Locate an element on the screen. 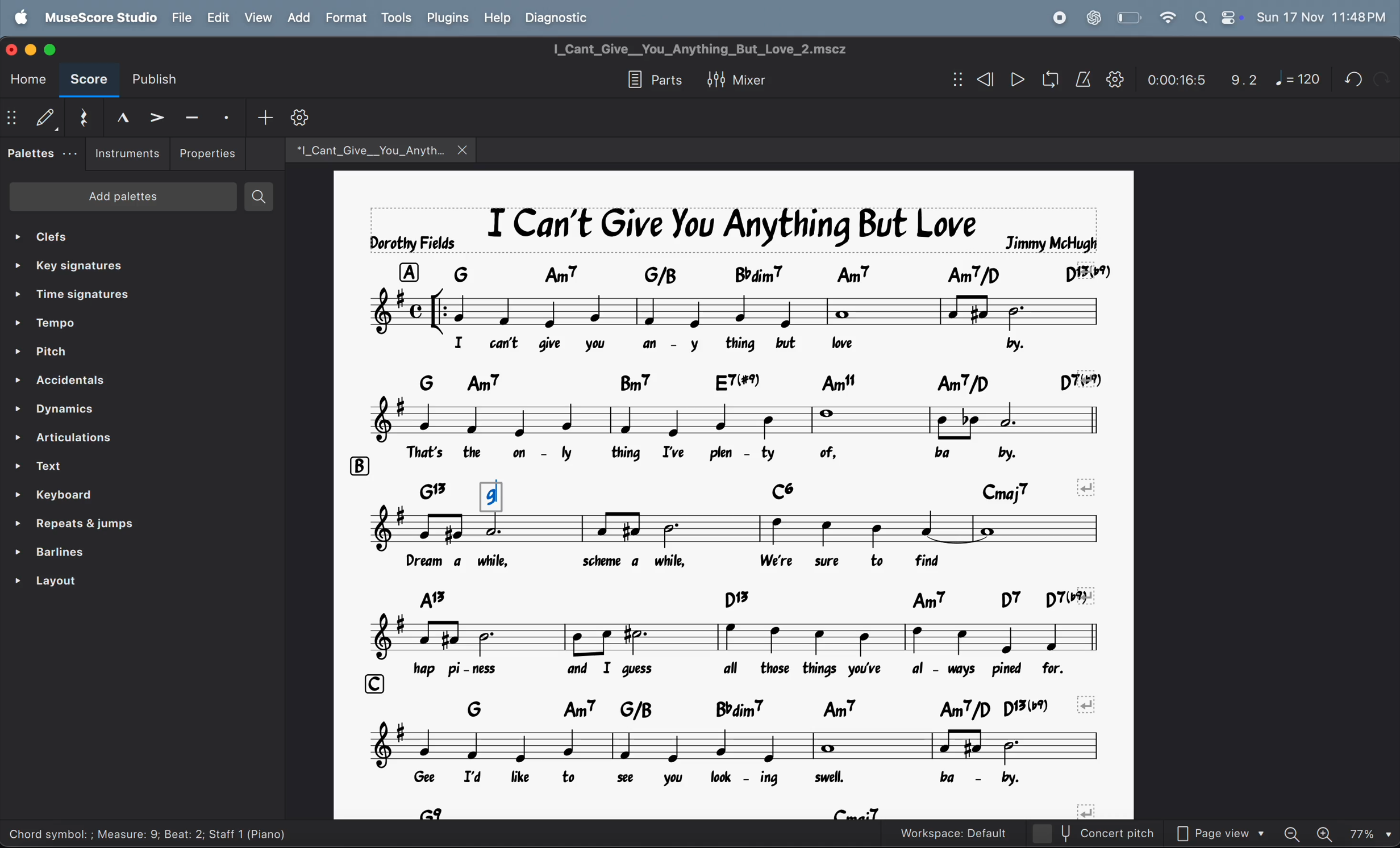  add palettes is located at coordinates (121, 197).